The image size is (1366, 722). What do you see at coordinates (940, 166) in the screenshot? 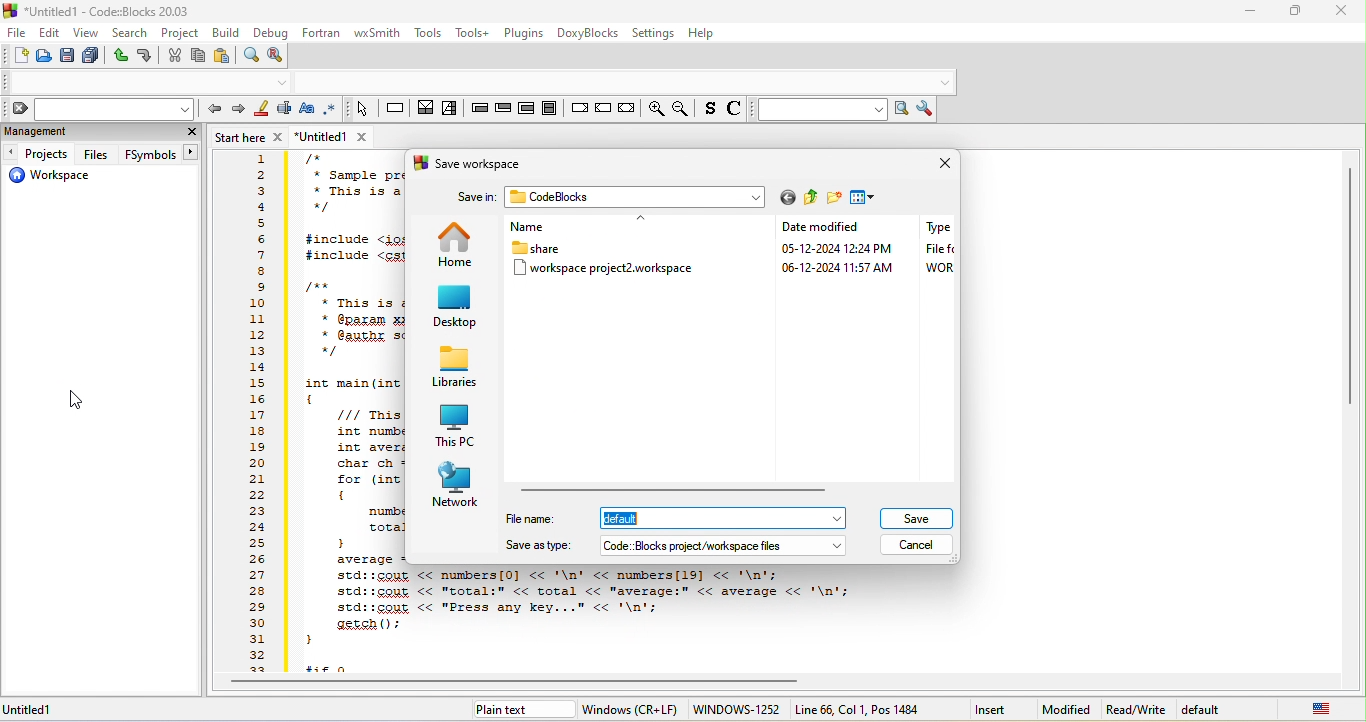
I see `close` at bounding box center [940, 166].